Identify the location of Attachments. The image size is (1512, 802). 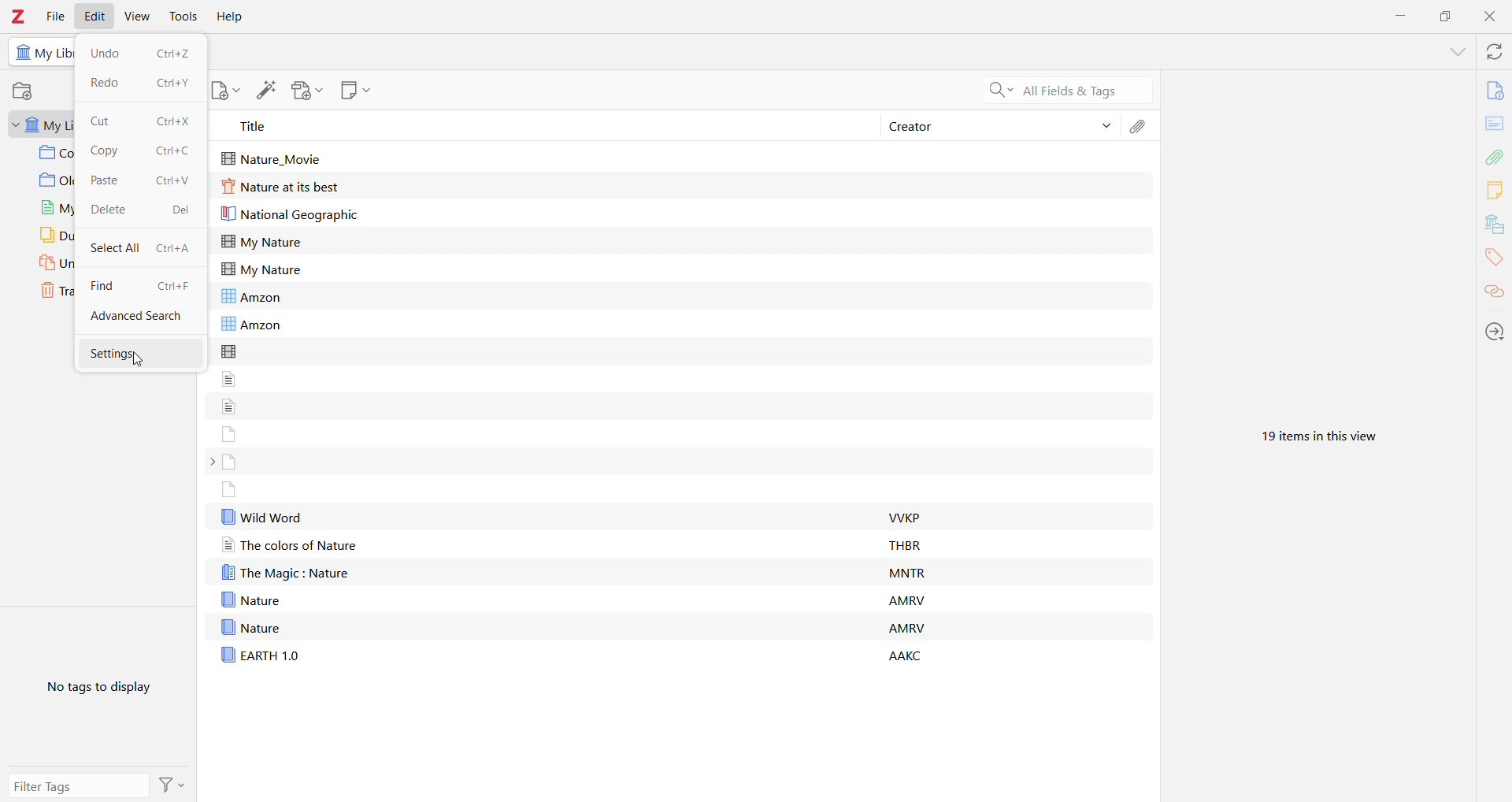
(1139, 127).